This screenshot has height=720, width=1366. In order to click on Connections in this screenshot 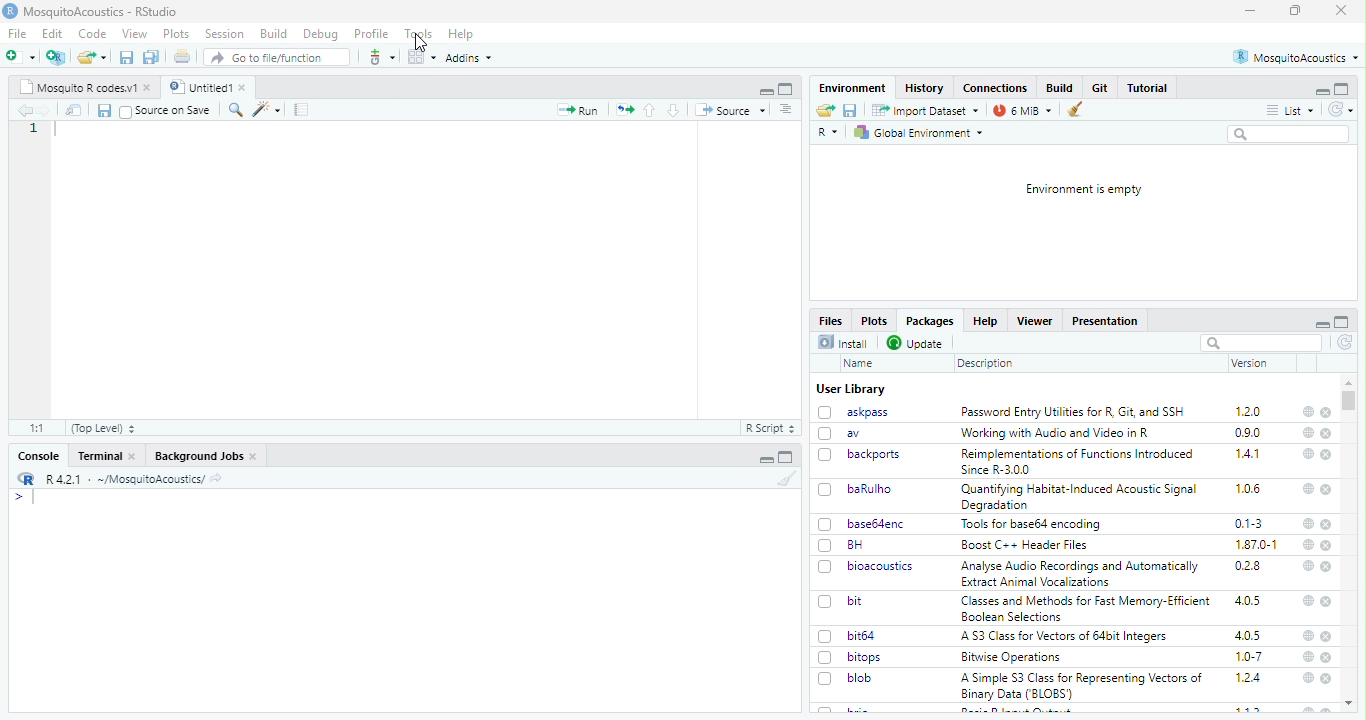, I will do `click(997, 88)`.